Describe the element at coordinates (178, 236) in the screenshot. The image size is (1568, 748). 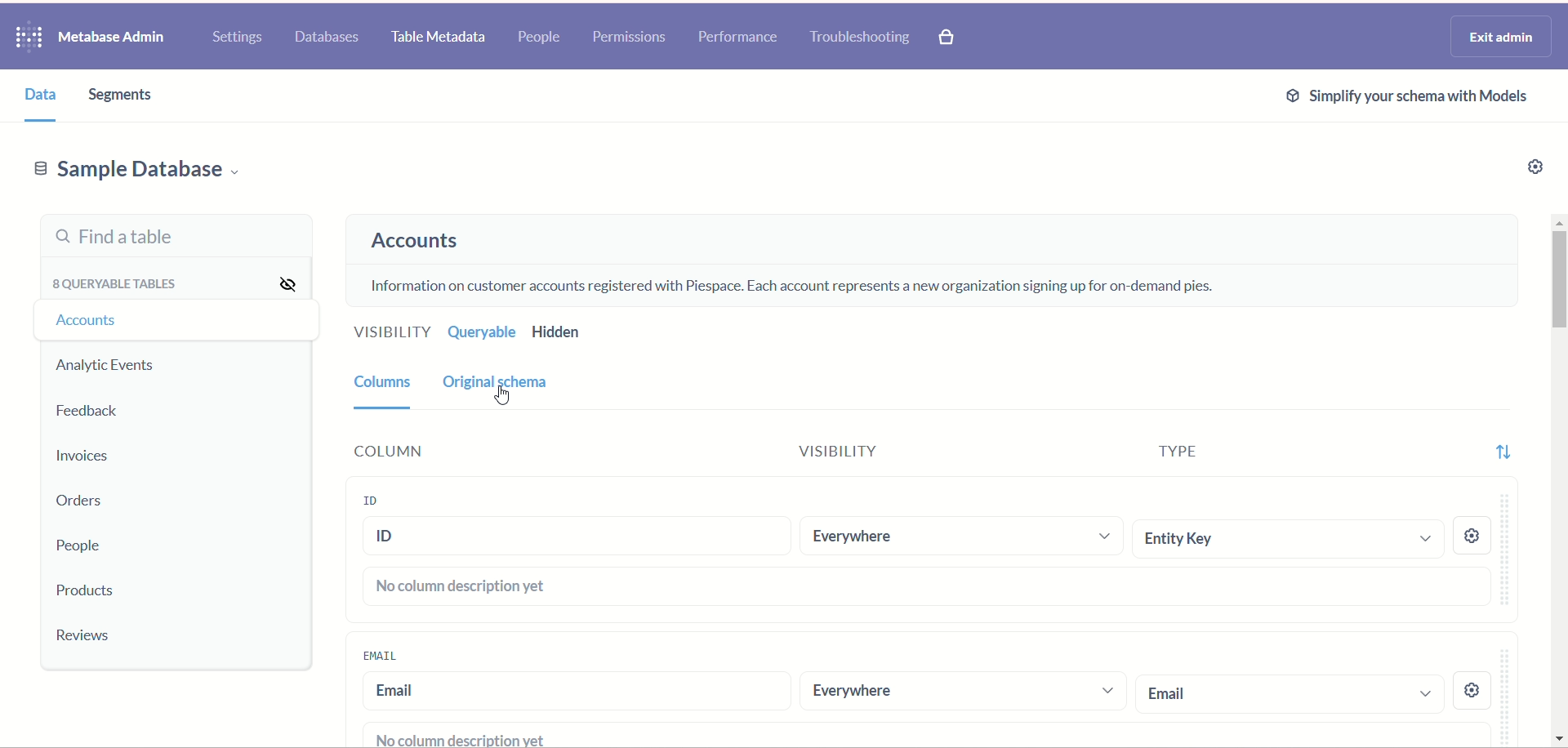
I see `find a table` at that location.